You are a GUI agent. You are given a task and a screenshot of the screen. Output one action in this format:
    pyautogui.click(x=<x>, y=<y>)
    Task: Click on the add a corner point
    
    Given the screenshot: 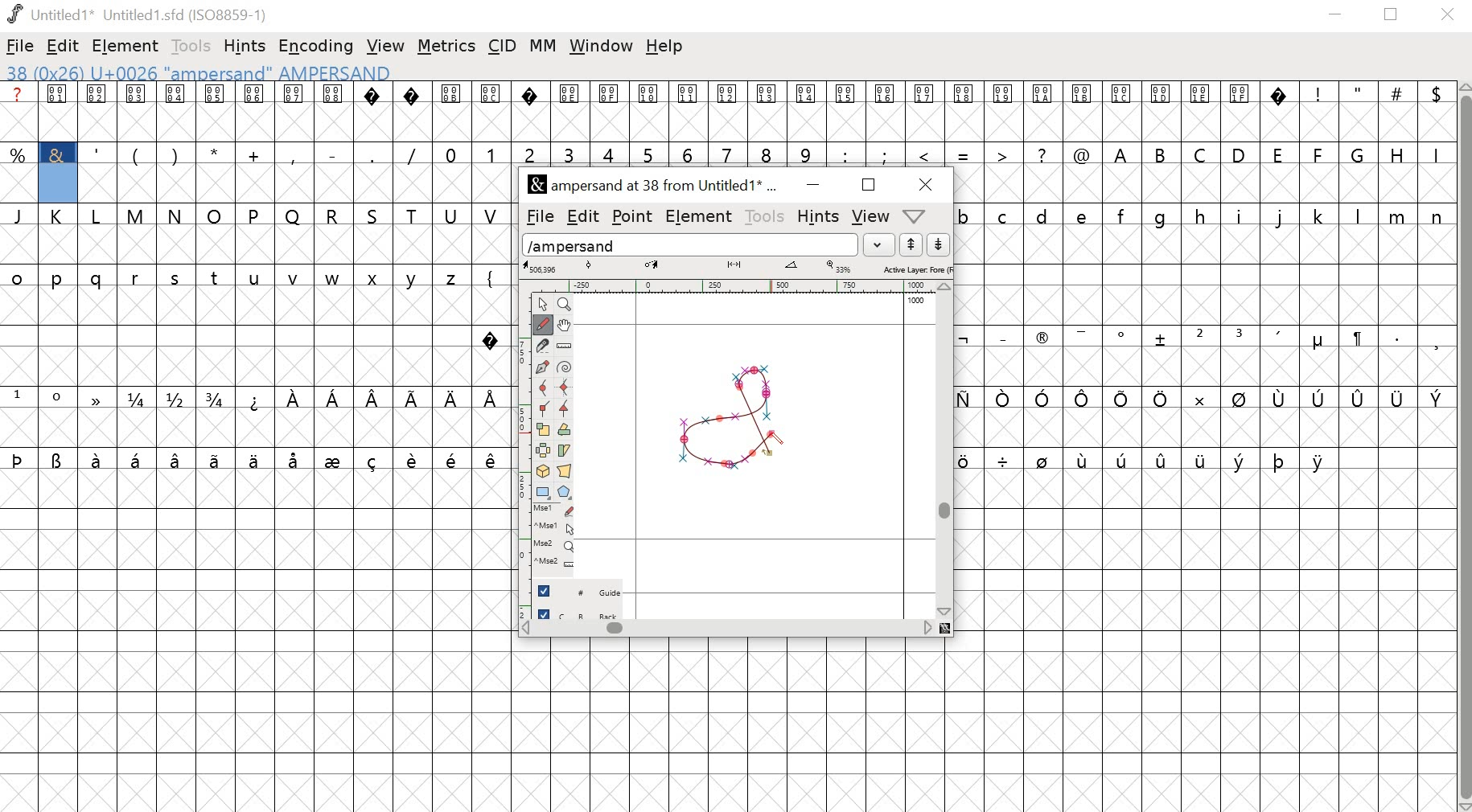 What is the action you would take?
    pyautogui.click(x=544, y=411)
    